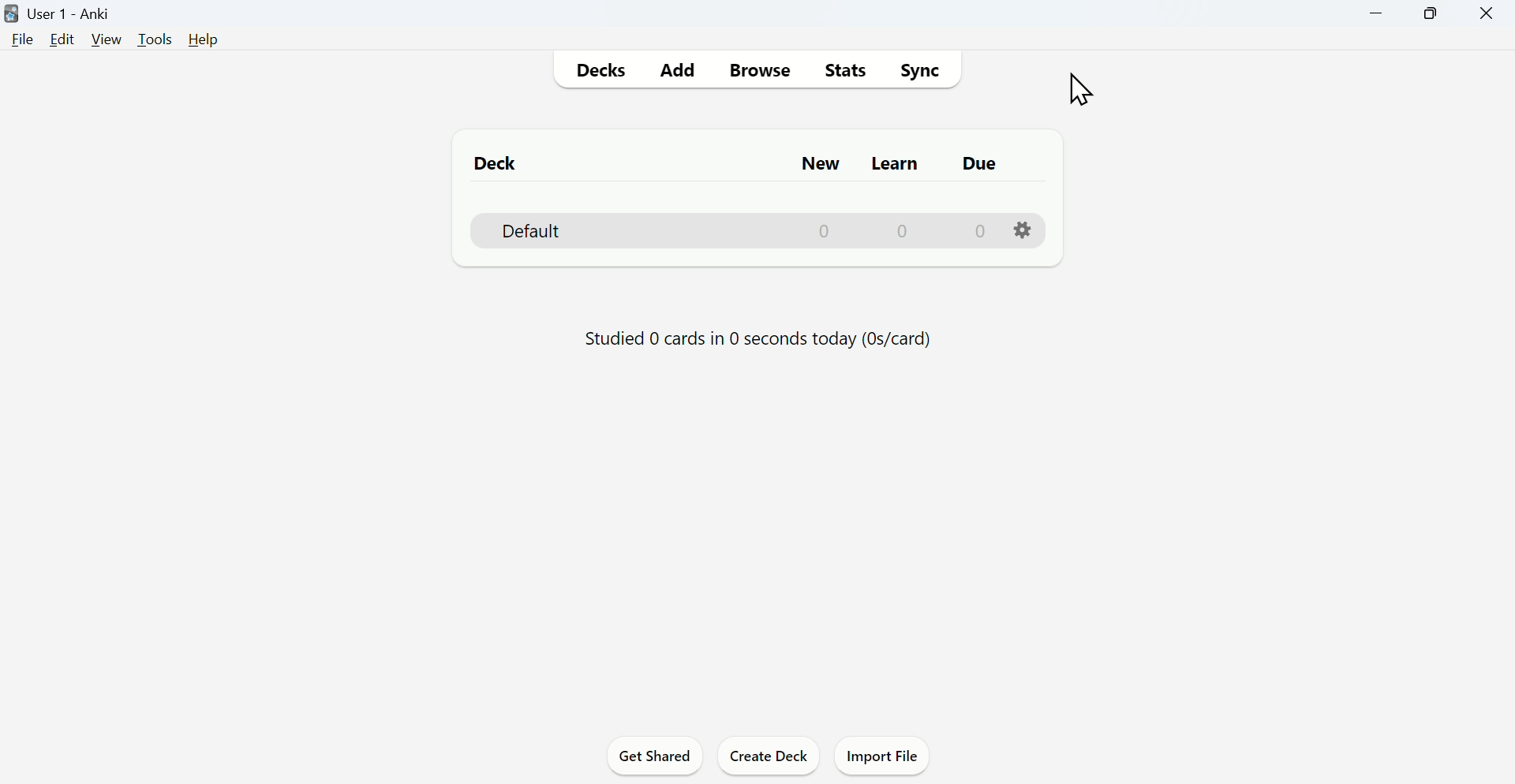 The width and height of the screenshot is (1515, 784). What do you see at coordinates (1377, 14) in the screenshot?
I see `Minimize` at bounding box center [1377, 14].